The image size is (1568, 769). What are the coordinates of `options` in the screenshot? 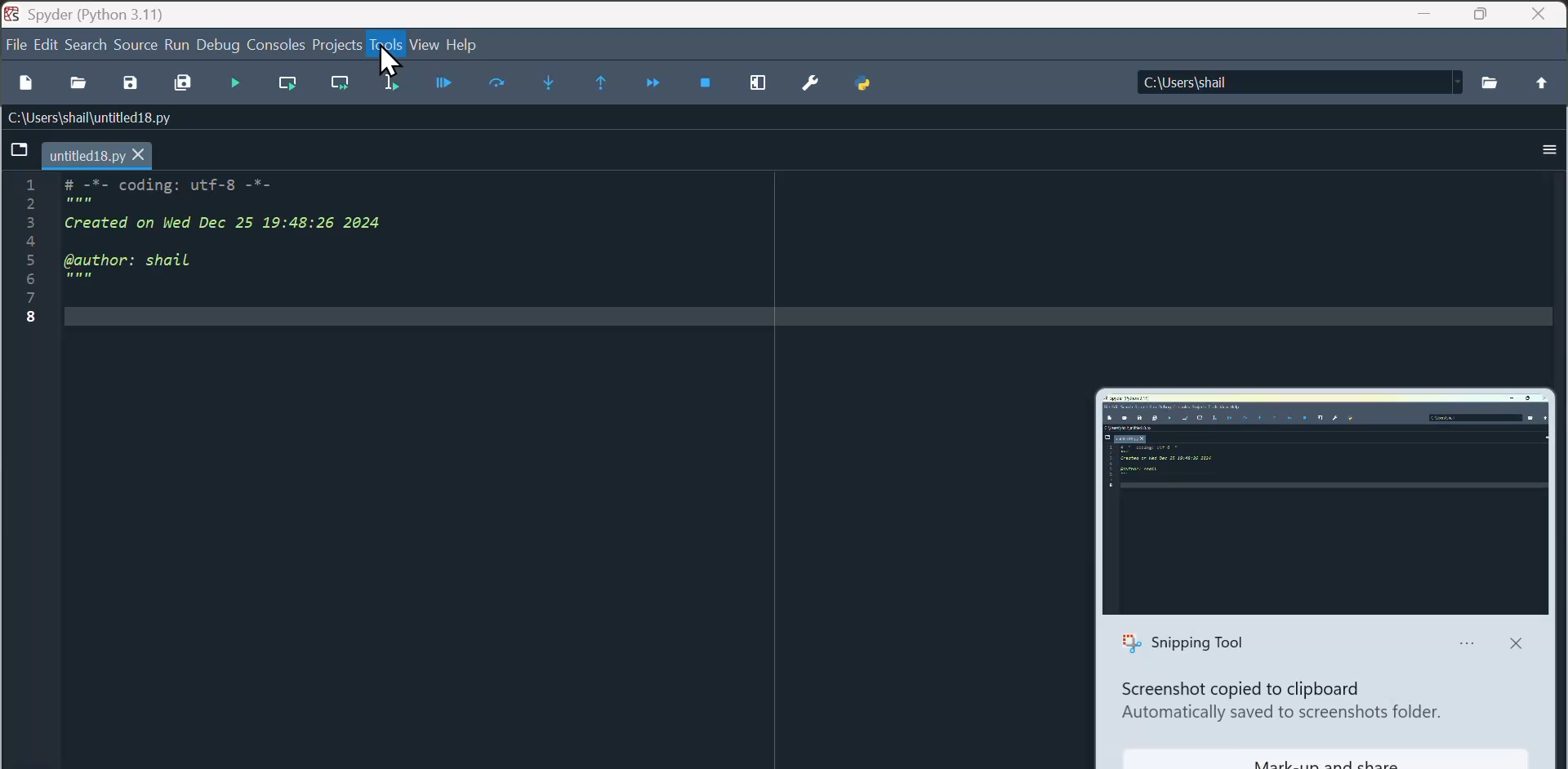 It's located at (1544, 149).